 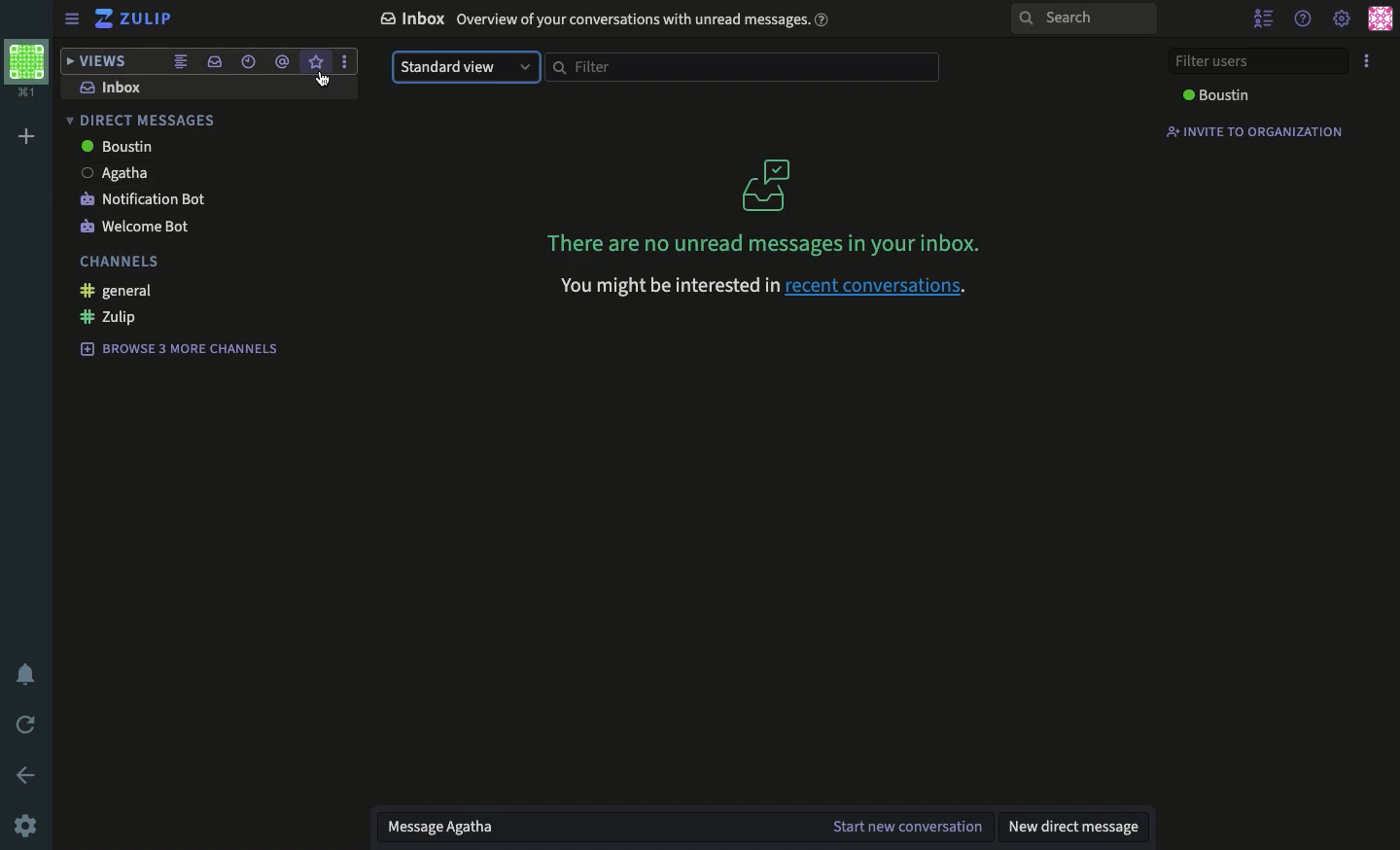 I want to click on filter, so click(x=744, y=65).